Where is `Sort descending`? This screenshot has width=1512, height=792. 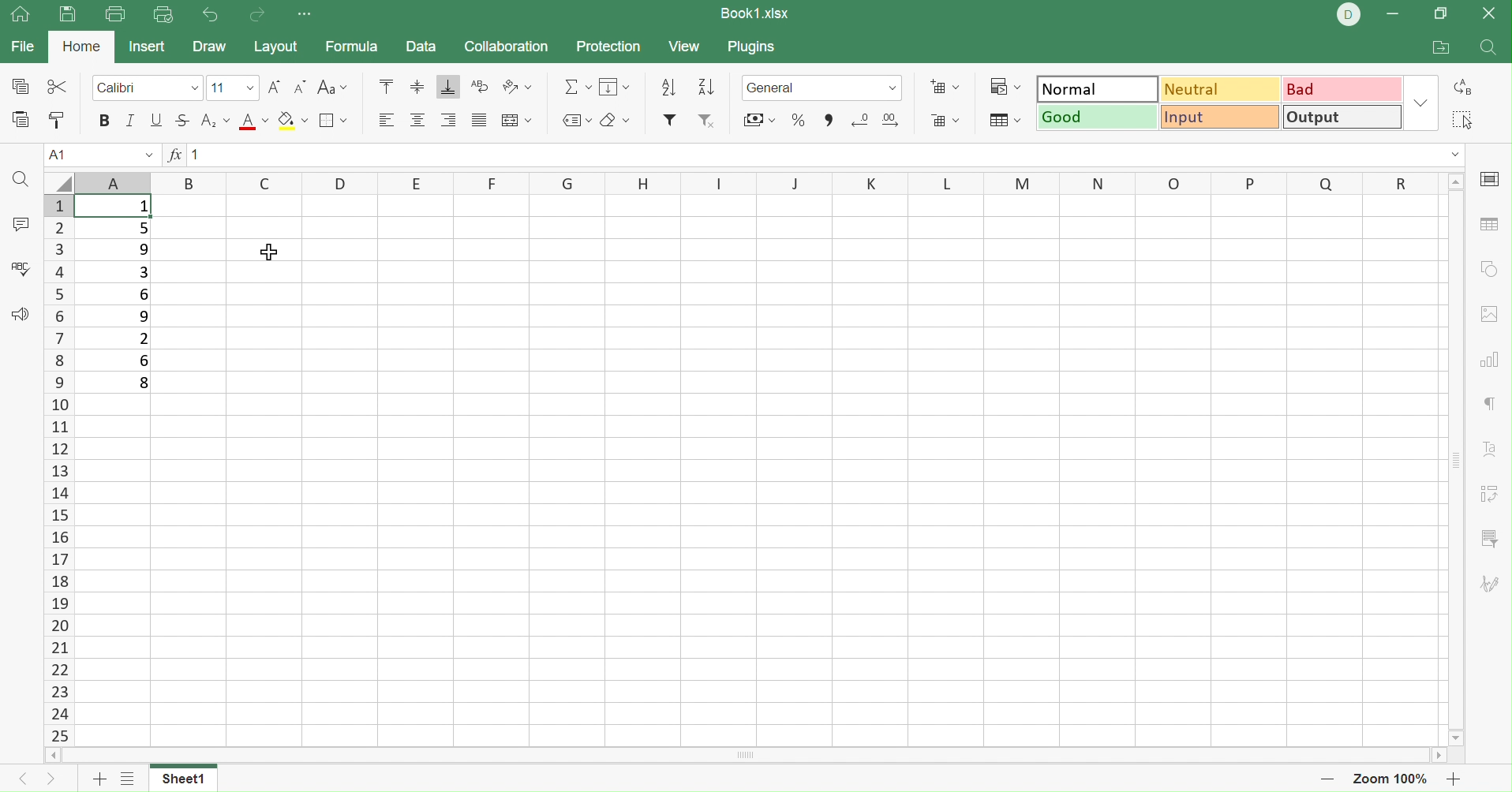
Sort descending is located at coordinates (672, 88).